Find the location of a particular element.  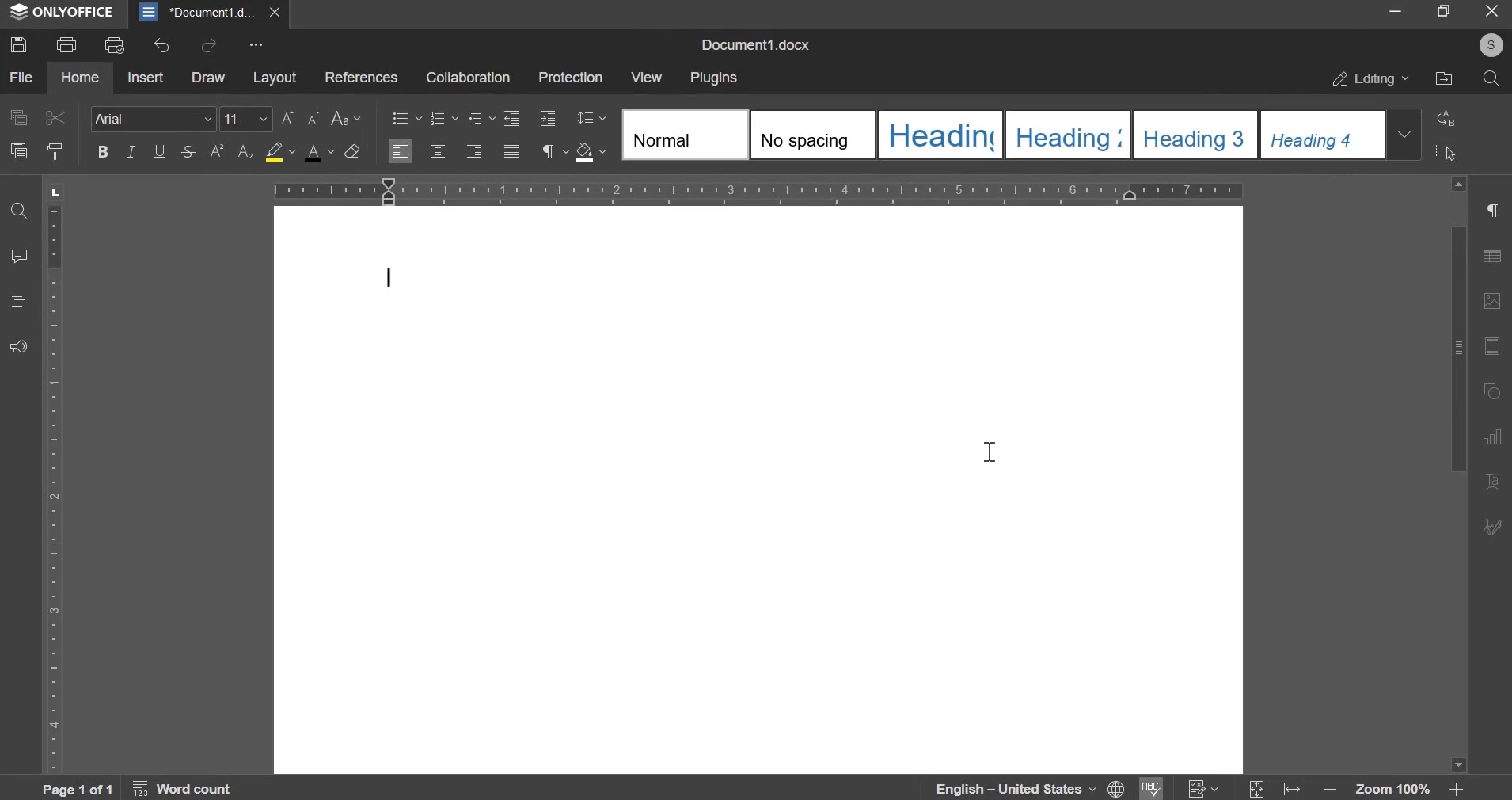

justified is located at coordinates (513, 153).